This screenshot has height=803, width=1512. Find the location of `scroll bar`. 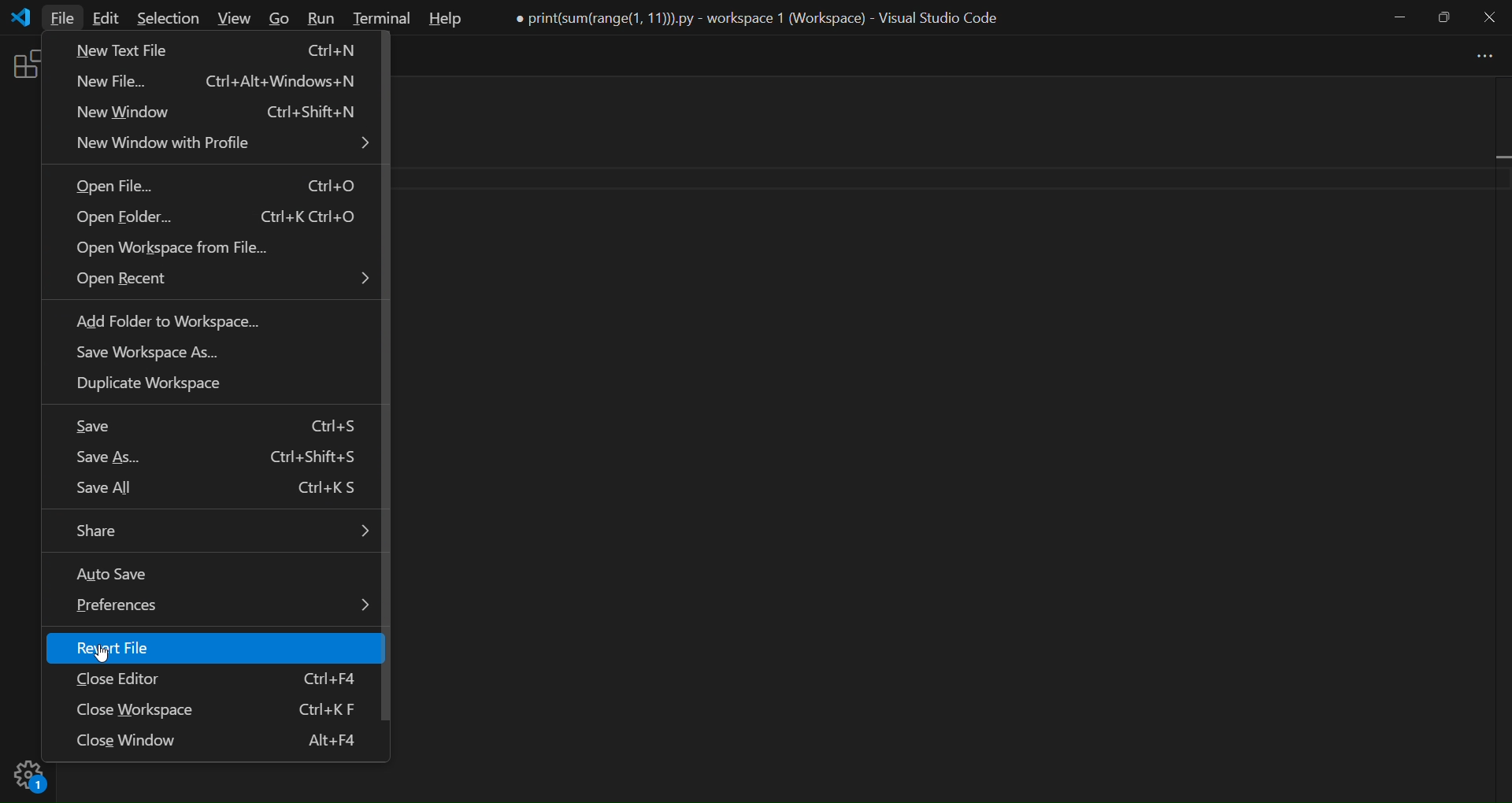

scroll bar is located at coordinates (395, 379).